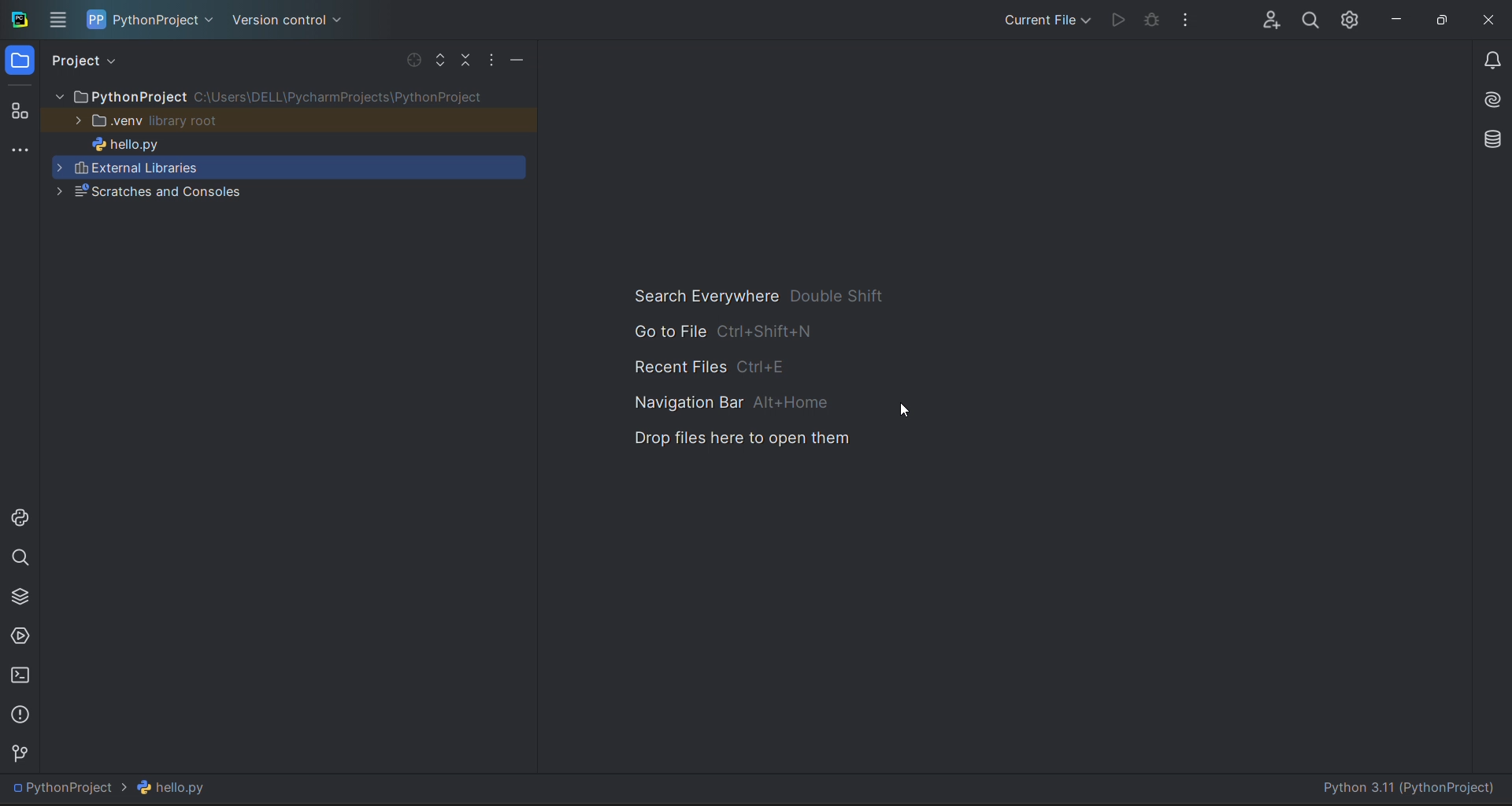  Describe the element at coordinates (517, 59) in the screenshot. I see `minimize` at that location.